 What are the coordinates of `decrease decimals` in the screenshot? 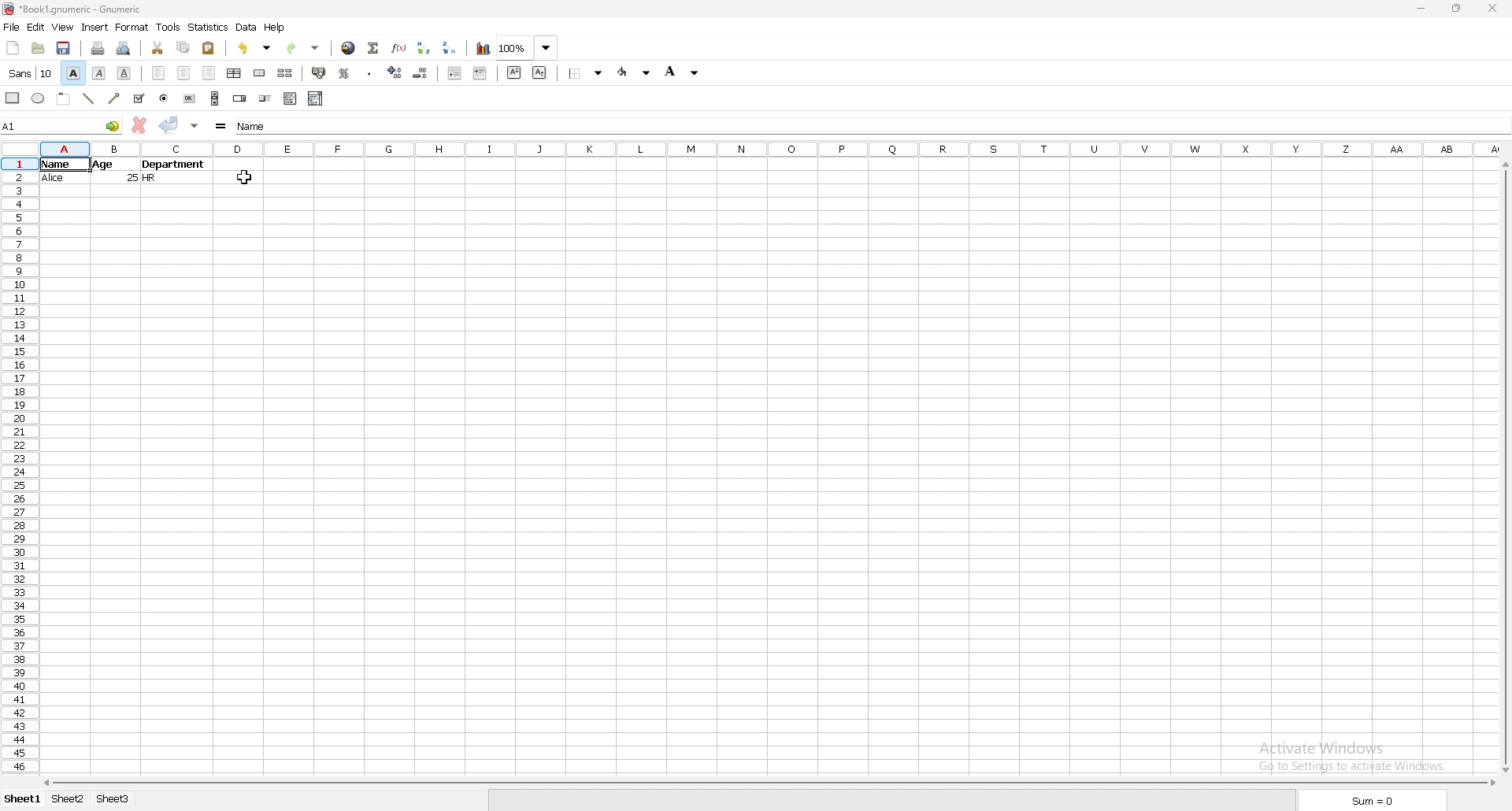 It's located at (421, 72).